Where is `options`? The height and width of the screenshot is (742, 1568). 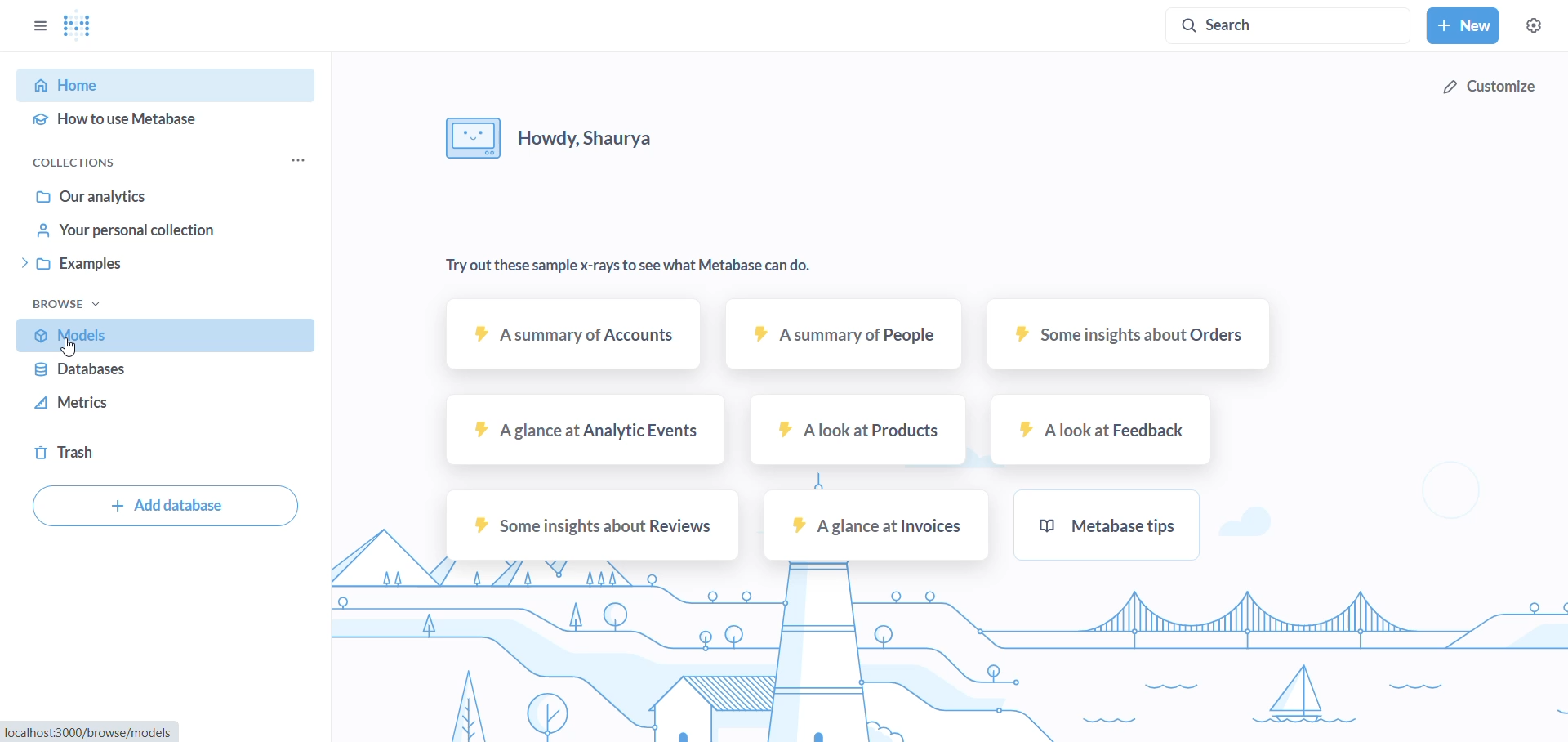 options is located at coordinates (38, 25).